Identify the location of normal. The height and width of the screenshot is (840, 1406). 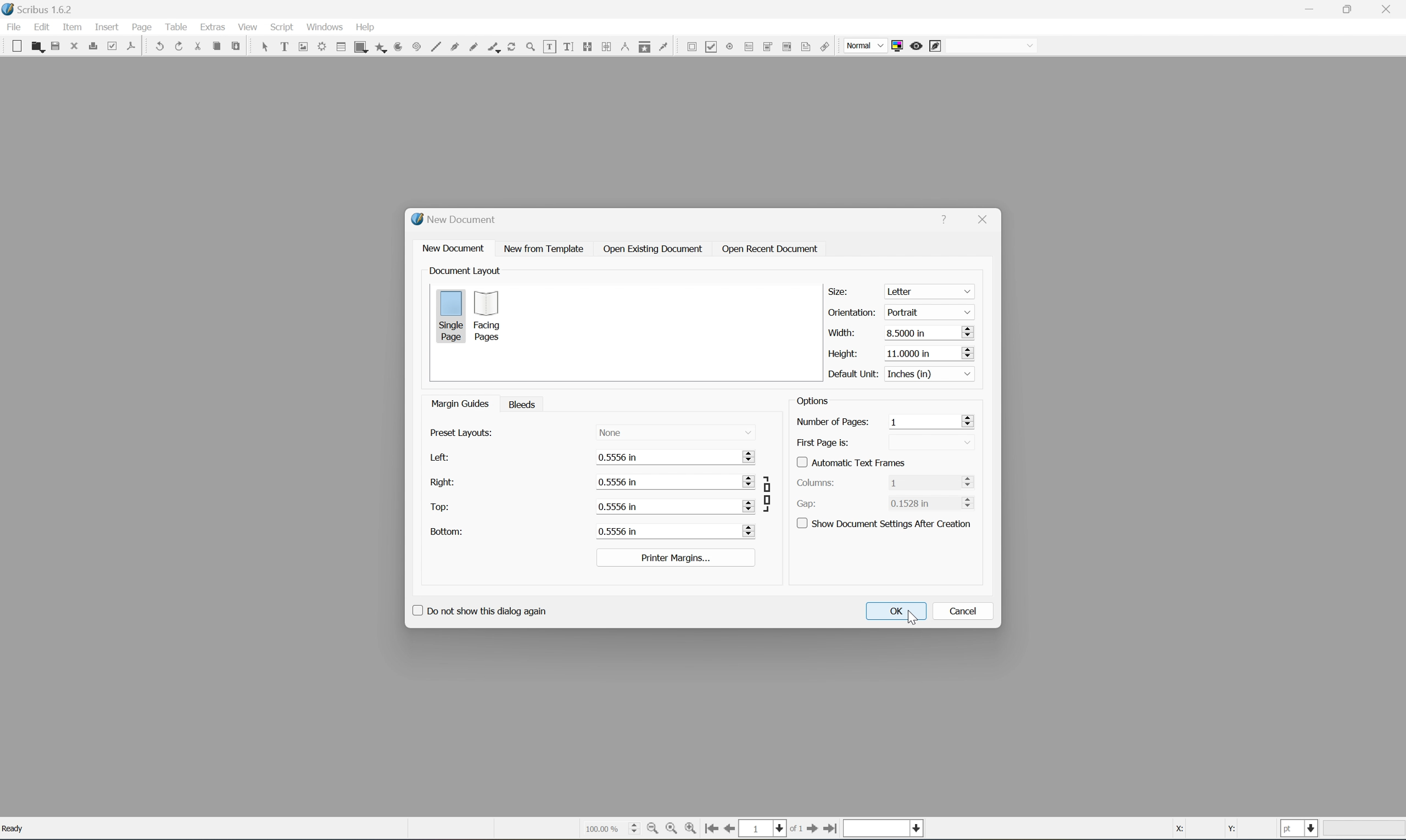
(866, 47).